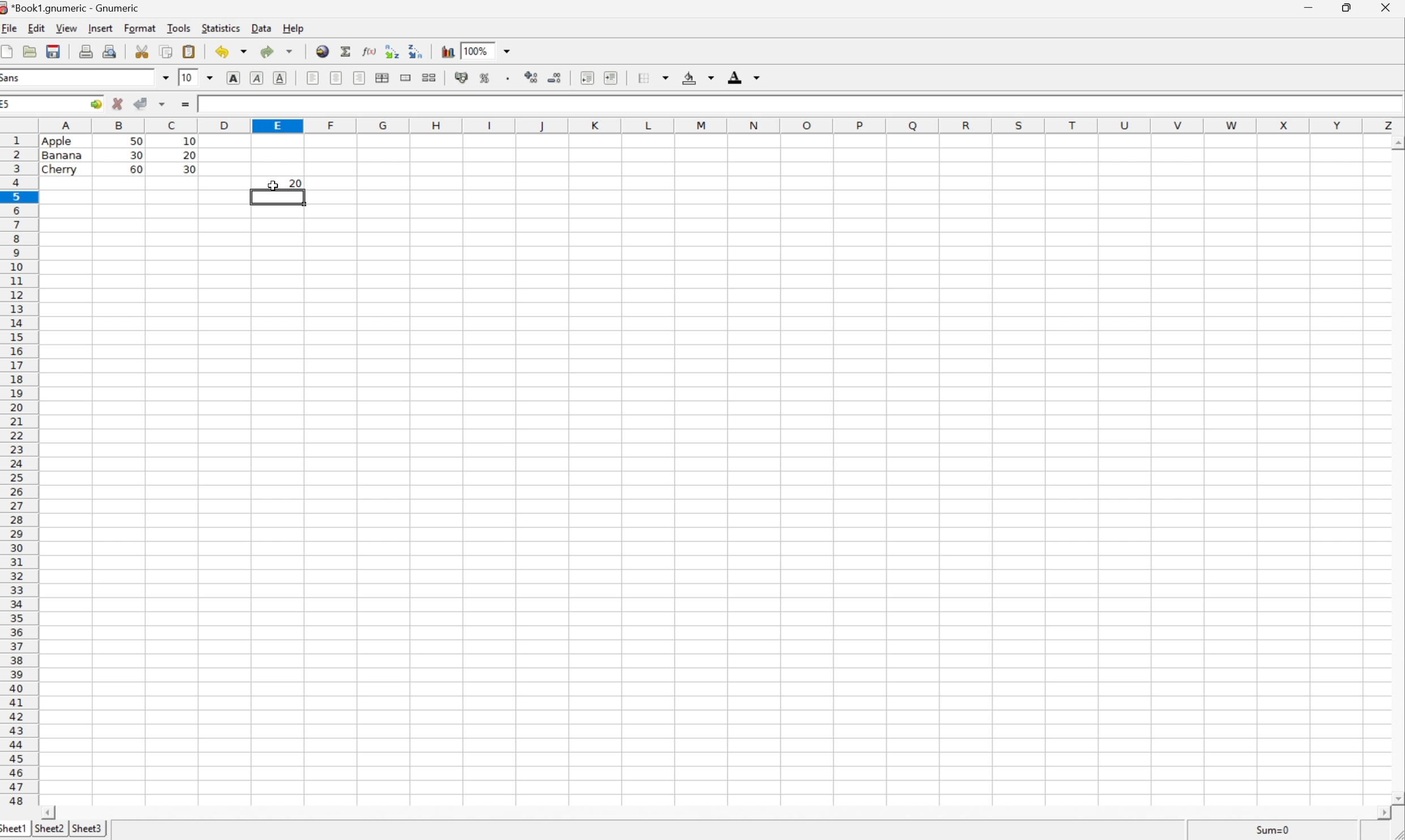  Describe the element at coordinates (449, 50) in the screenshot. I see `insert chart` at that location.